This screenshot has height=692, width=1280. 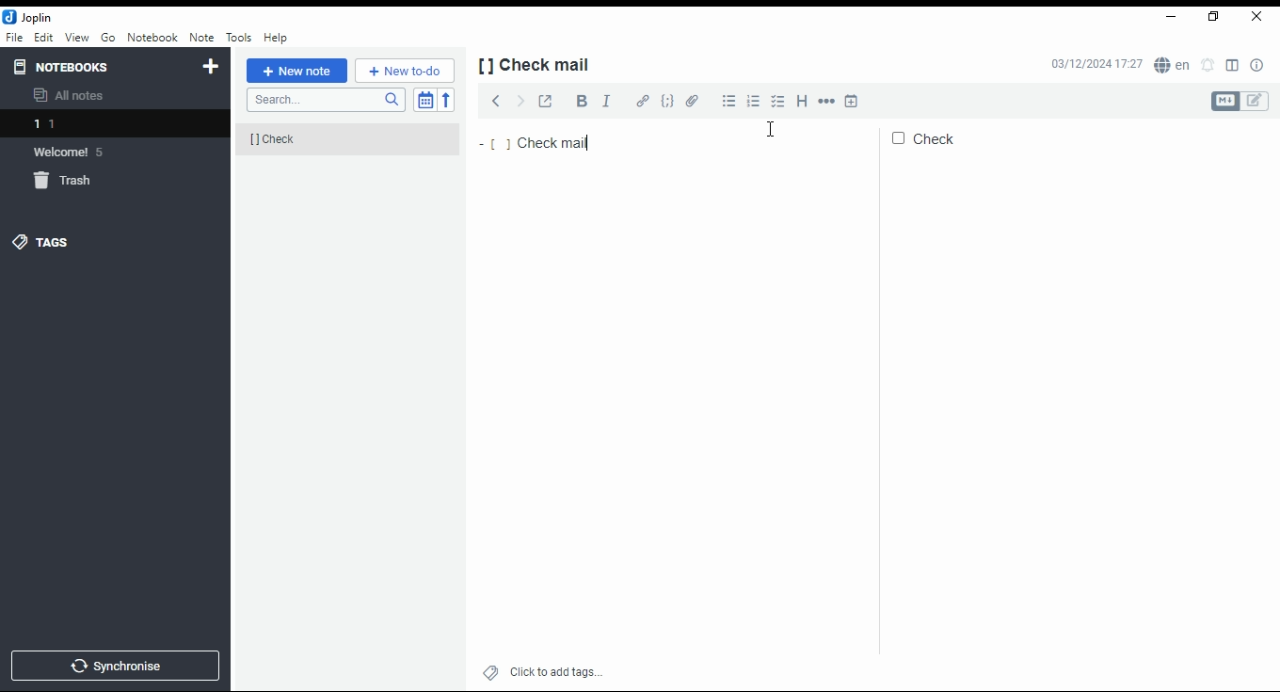 I want to click on sort order reverse, so click(x=446, y=99).